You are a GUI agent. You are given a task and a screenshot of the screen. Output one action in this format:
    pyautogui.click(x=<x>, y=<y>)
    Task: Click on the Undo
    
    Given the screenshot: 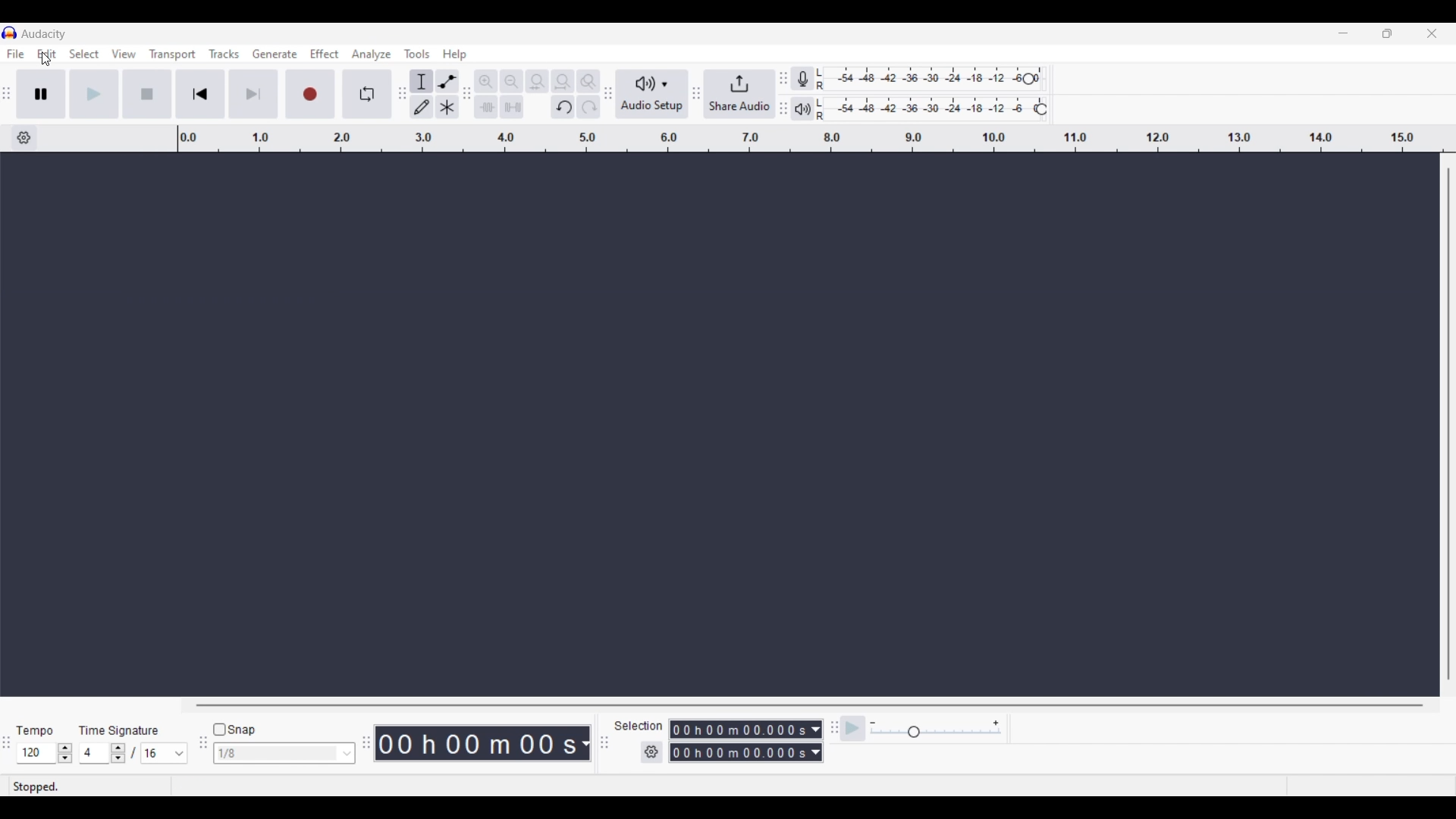 What is the action you would take?
    pyautogui.click(x=563, y=107)
    